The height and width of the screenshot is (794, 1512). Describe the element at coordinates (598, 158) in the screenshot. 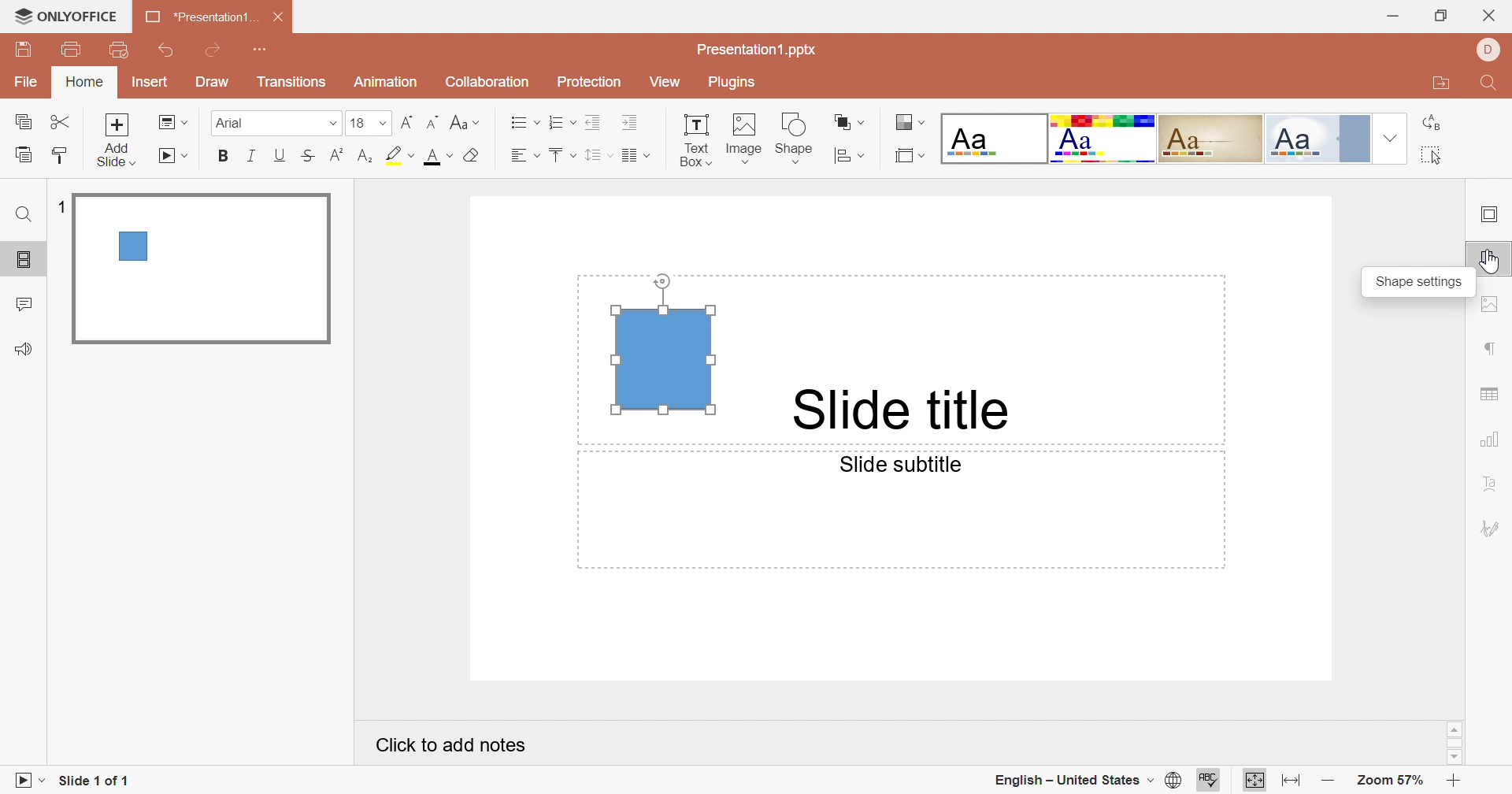

I see `Line spacing` at that location.